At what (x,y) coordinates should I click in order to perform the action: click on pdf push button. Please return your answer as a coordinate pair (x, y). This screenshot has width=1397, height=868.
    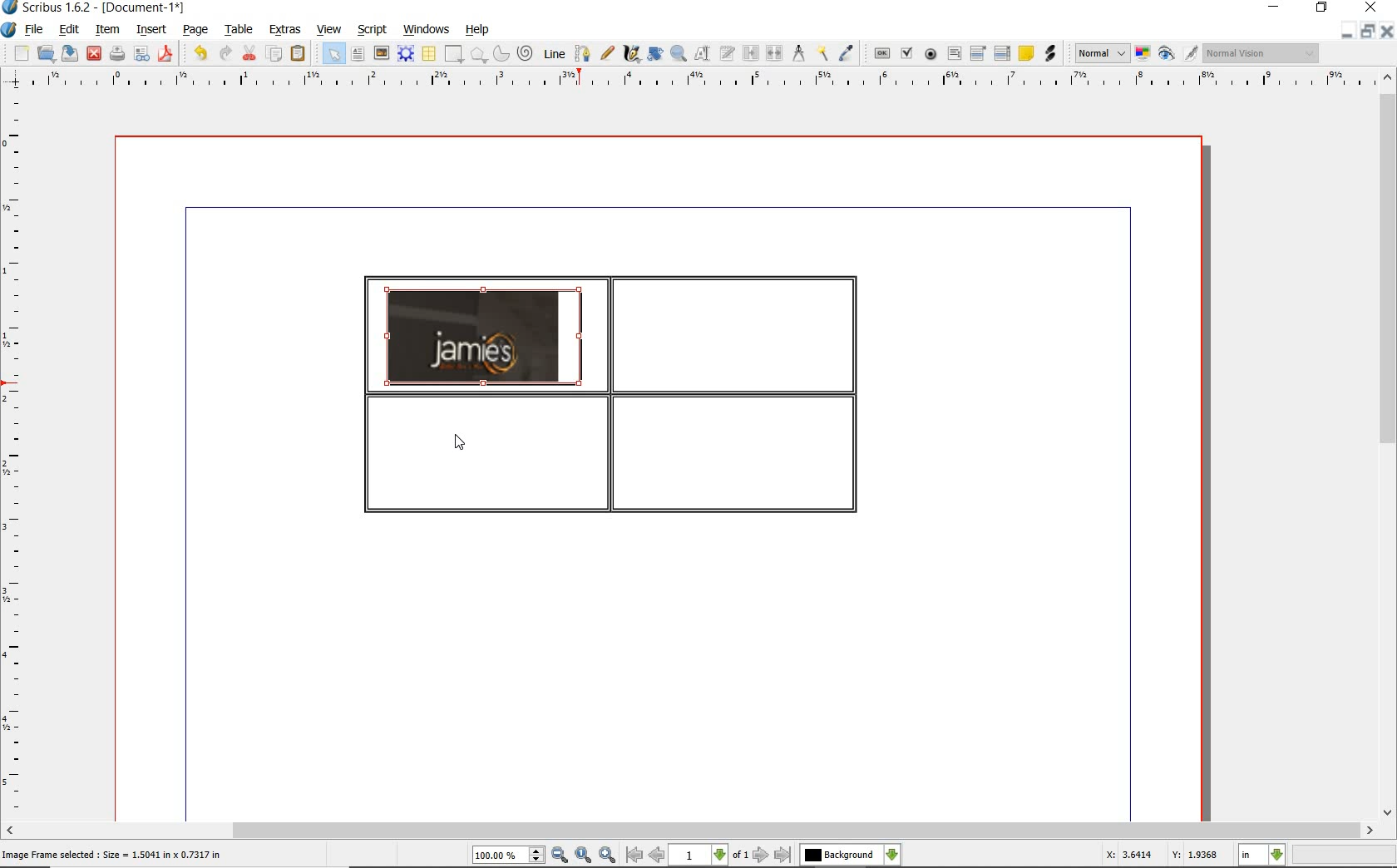
    Looking at the image, I should click on (882, 52).